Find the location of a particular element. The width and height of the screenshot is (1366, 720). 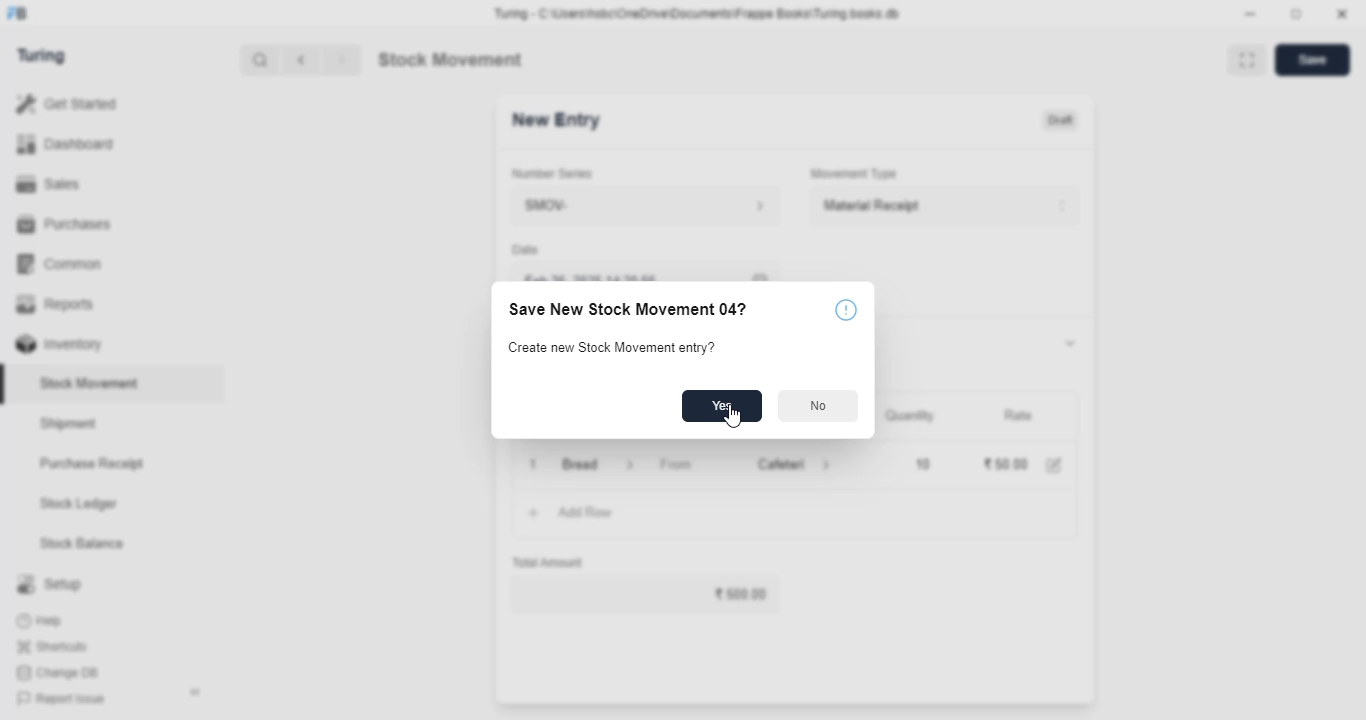

close is located at coordinates (1342, 14).